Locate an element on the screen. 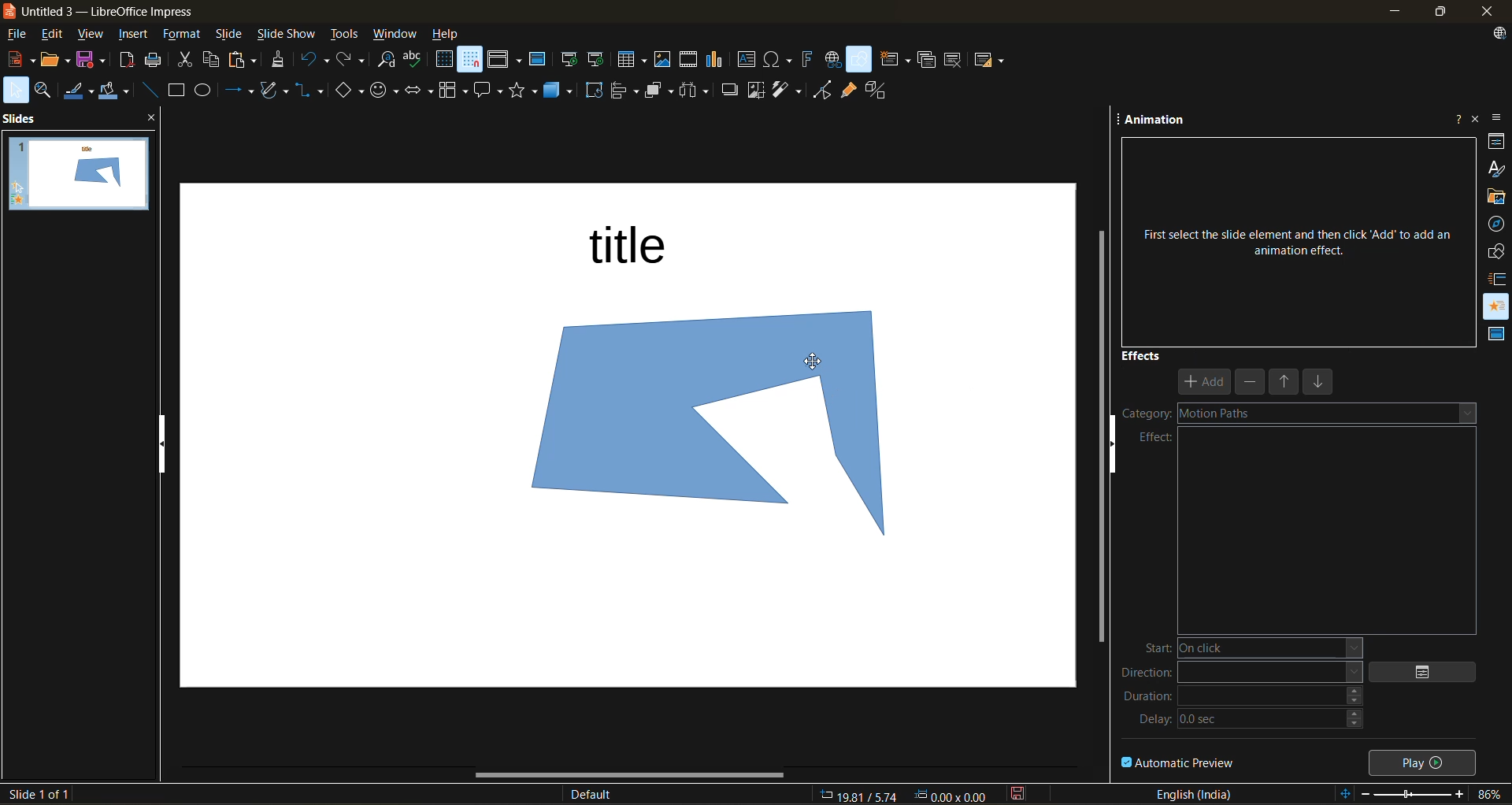 The image size is (1512, 805). undo is located at coordinates (314, 60).